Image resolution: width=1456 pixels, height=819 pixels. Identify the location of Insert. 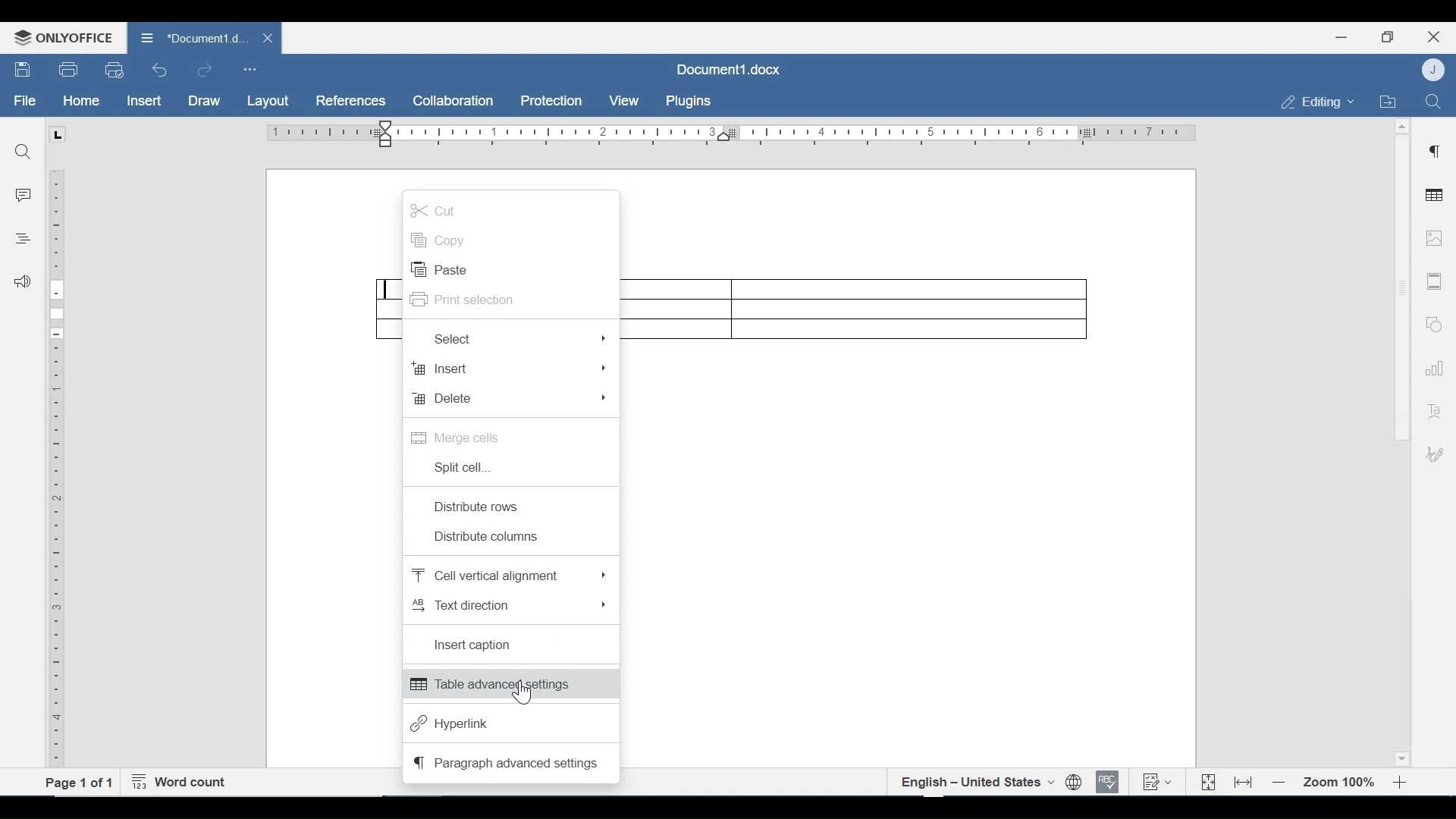
(510, 369).